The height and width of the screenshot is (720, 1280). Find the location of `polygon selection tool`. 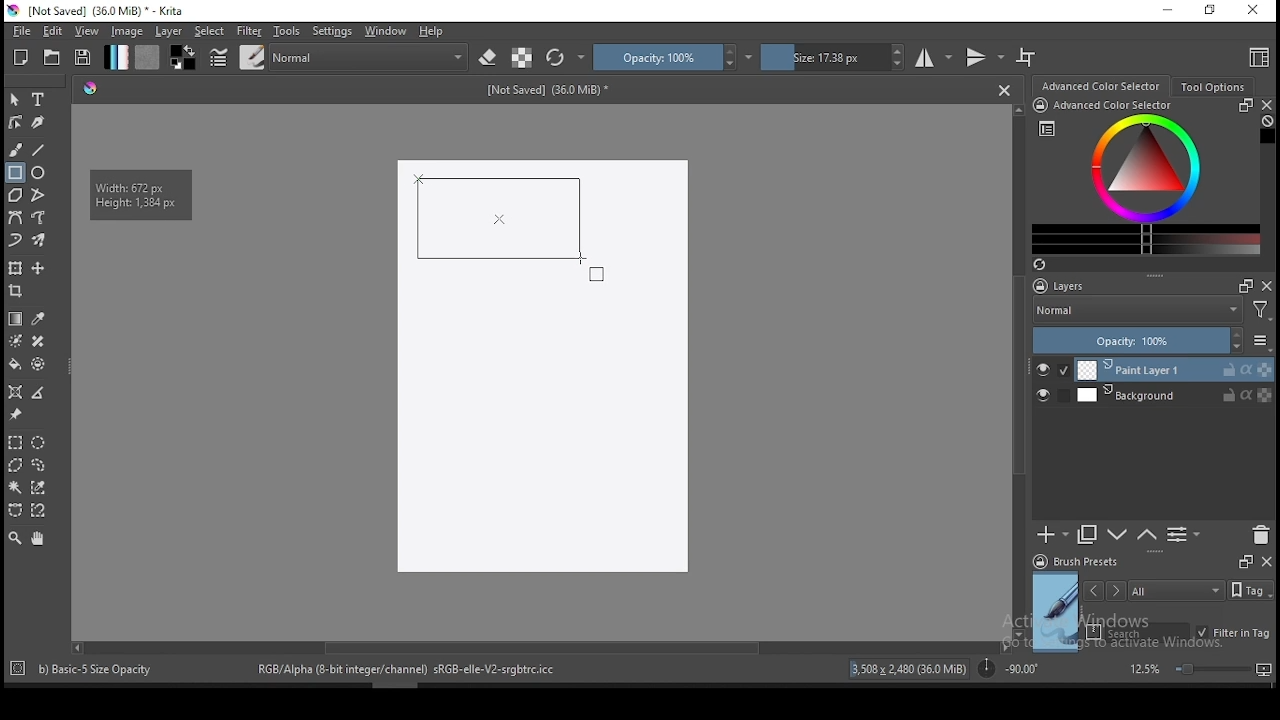

polygon selection tool is located at coordinates (16, 465).